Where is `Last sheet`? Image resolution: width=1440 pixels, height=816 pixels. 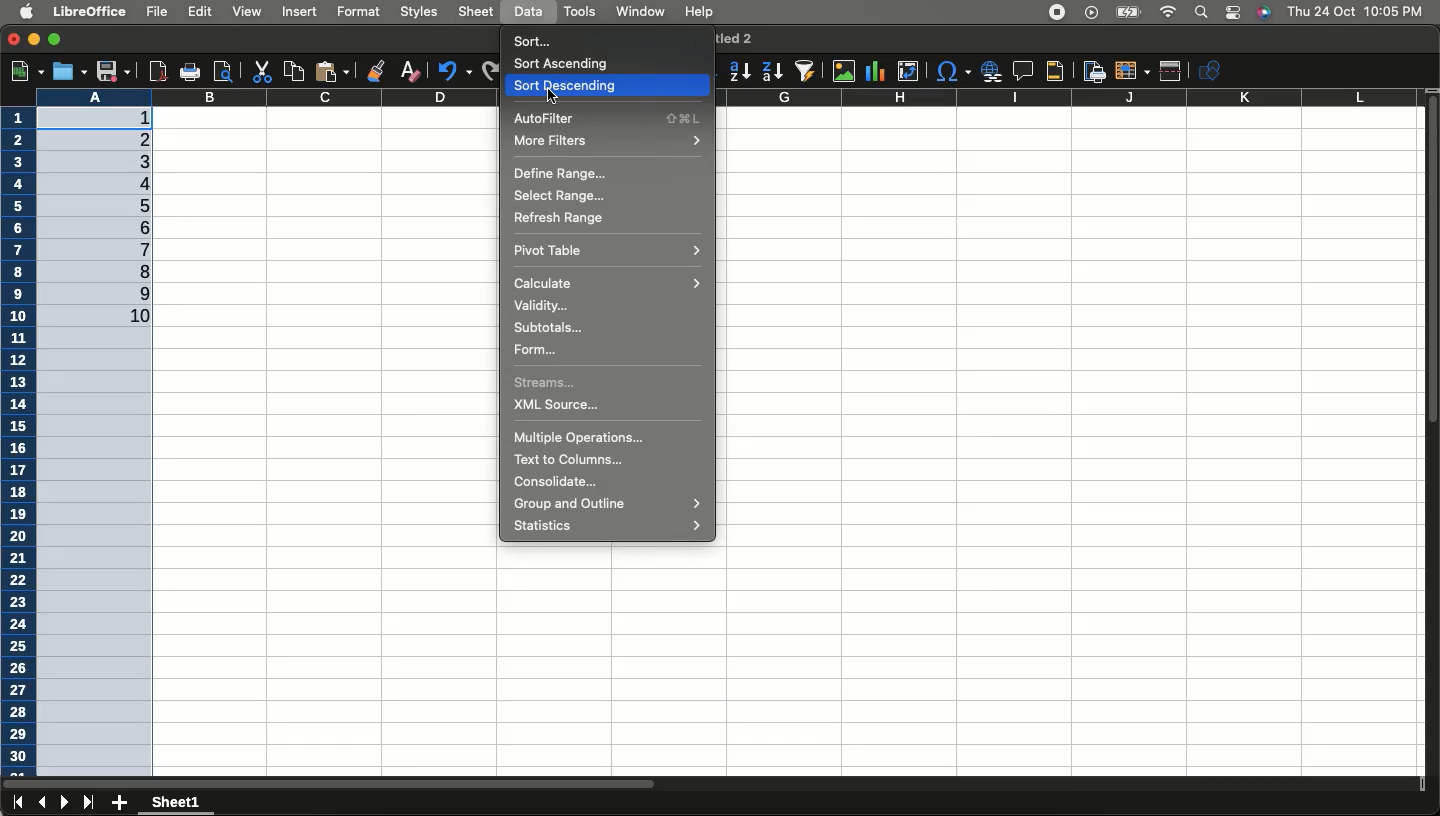
Last sheet is located at coordinates (89, 803).